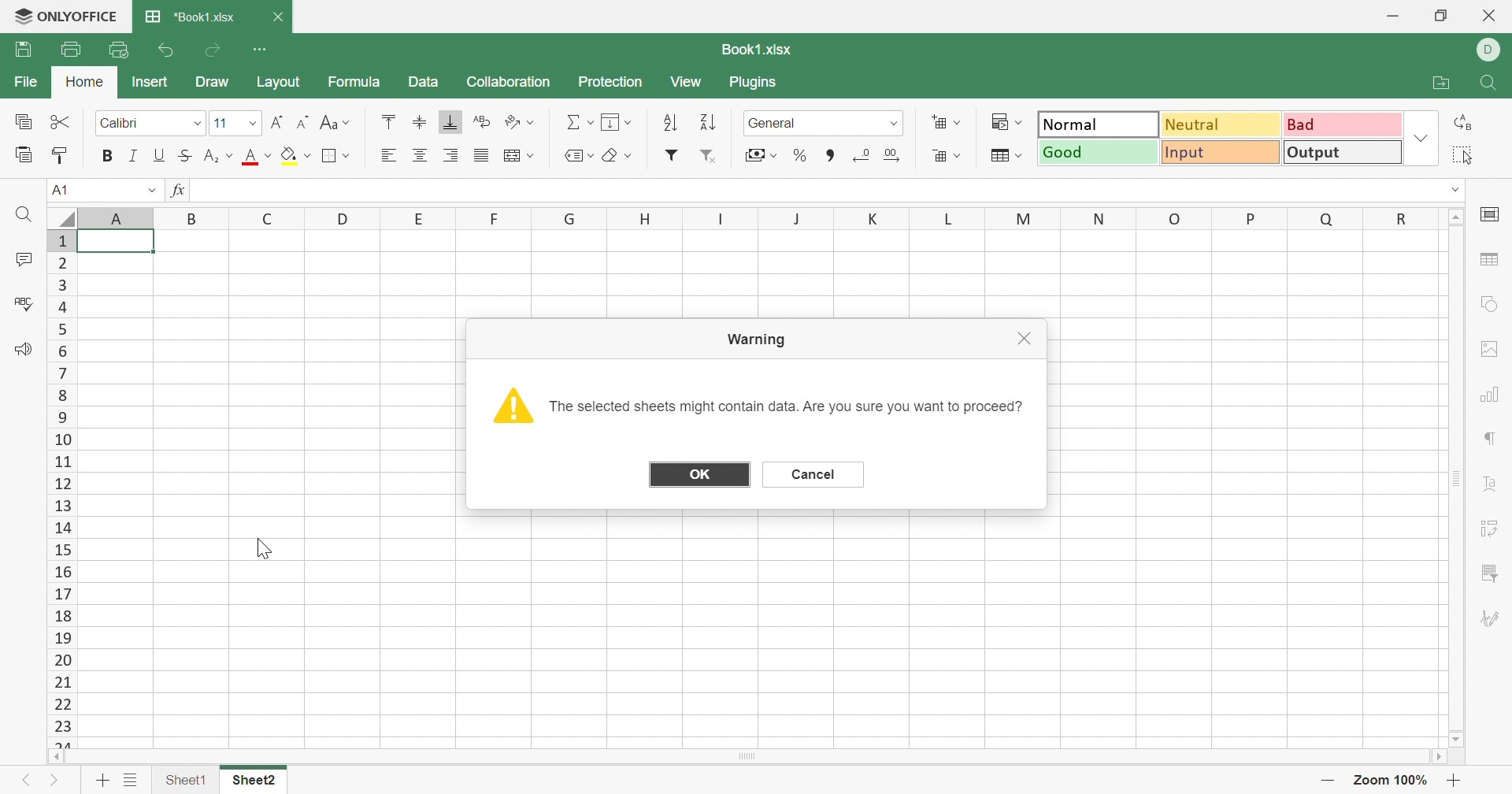  Describe the element at coordinates (1432, 83) in the screenshot. I see `Open file location` at that location.